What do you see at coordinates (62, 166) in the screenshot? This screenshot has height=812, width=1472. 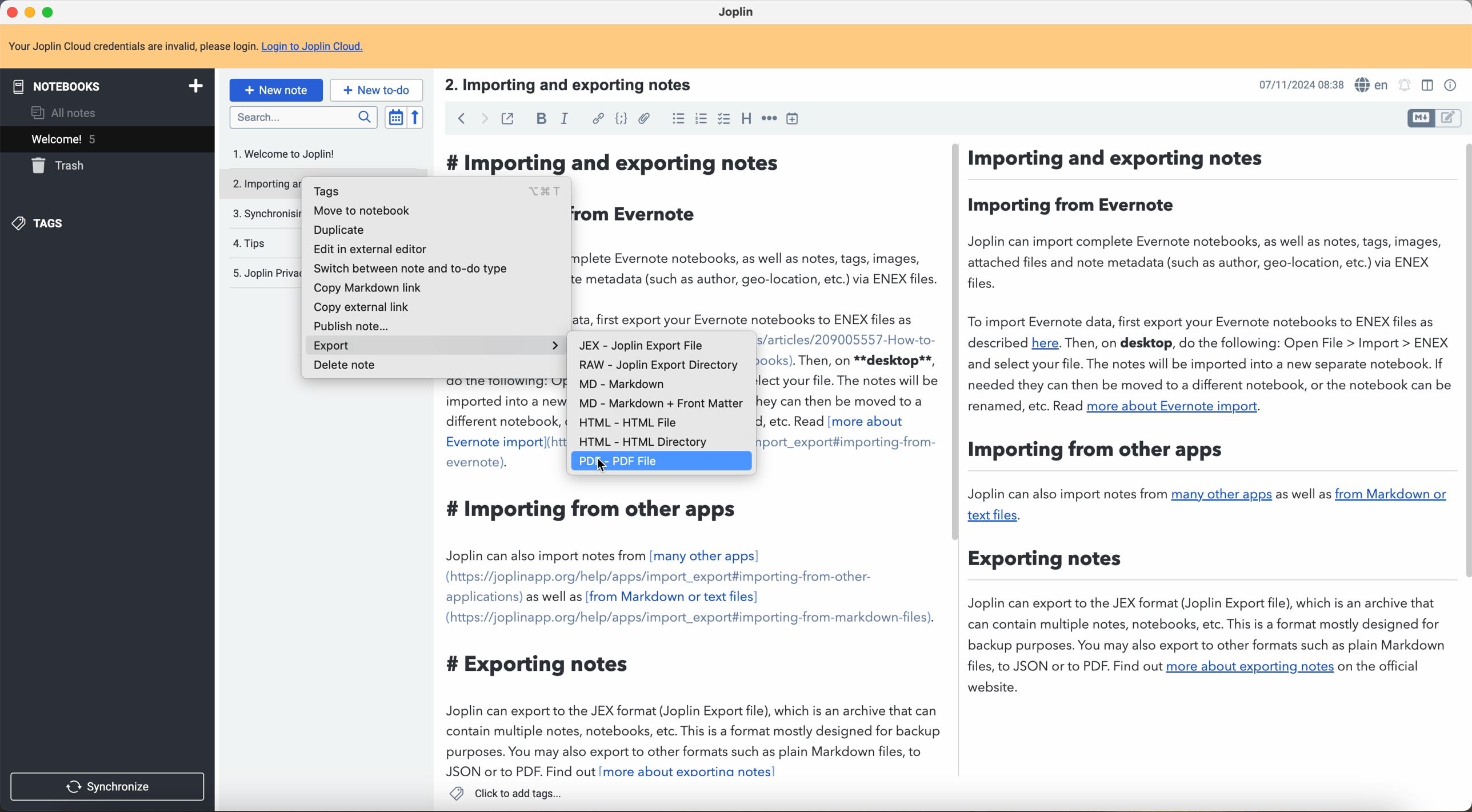 I see `trash` at bounding box center [62, 166].